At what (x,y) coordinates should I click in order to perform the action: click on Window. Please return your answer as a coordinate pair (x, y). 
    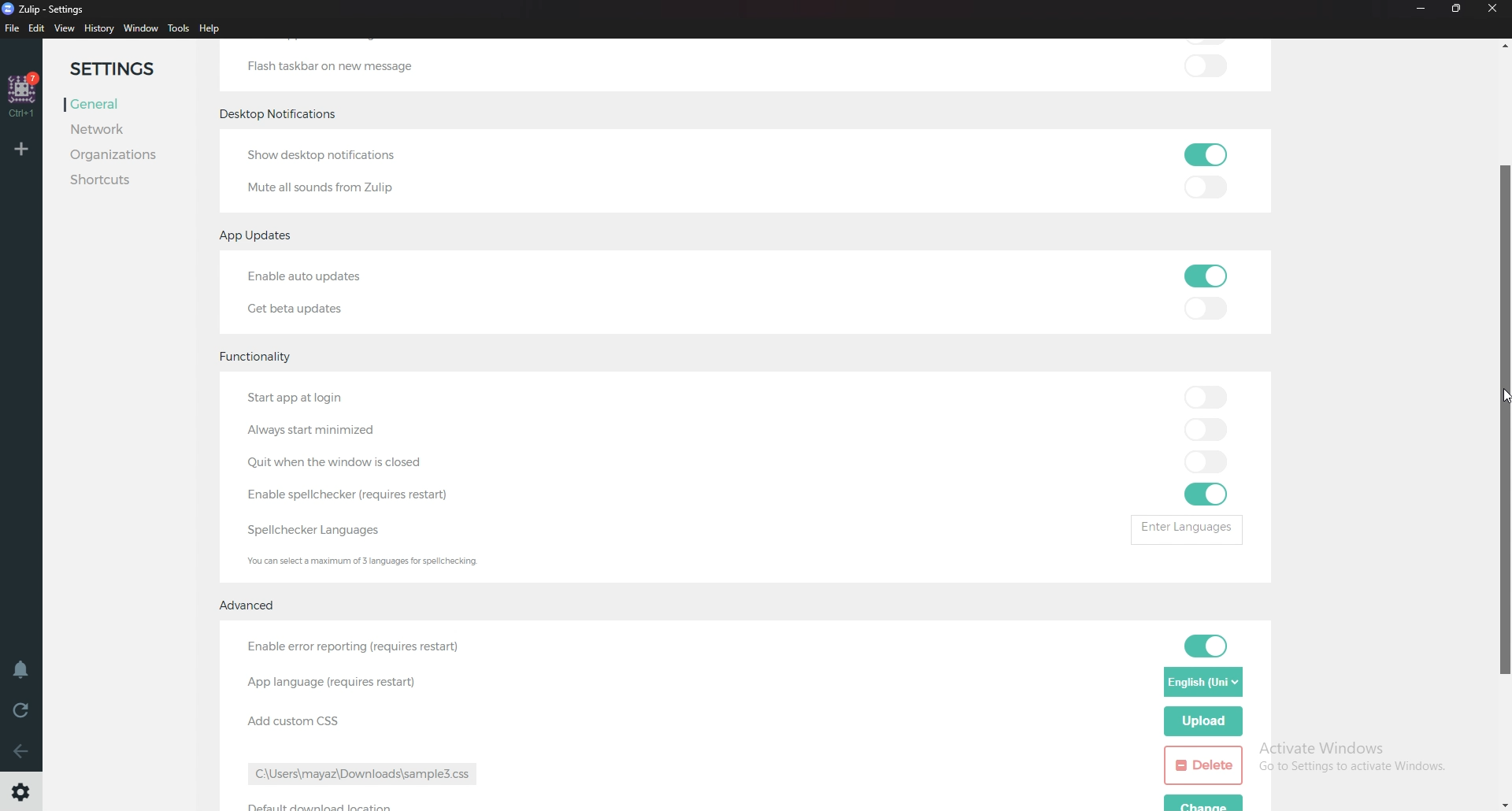
    Looking at the image, I should click on (142, 28).